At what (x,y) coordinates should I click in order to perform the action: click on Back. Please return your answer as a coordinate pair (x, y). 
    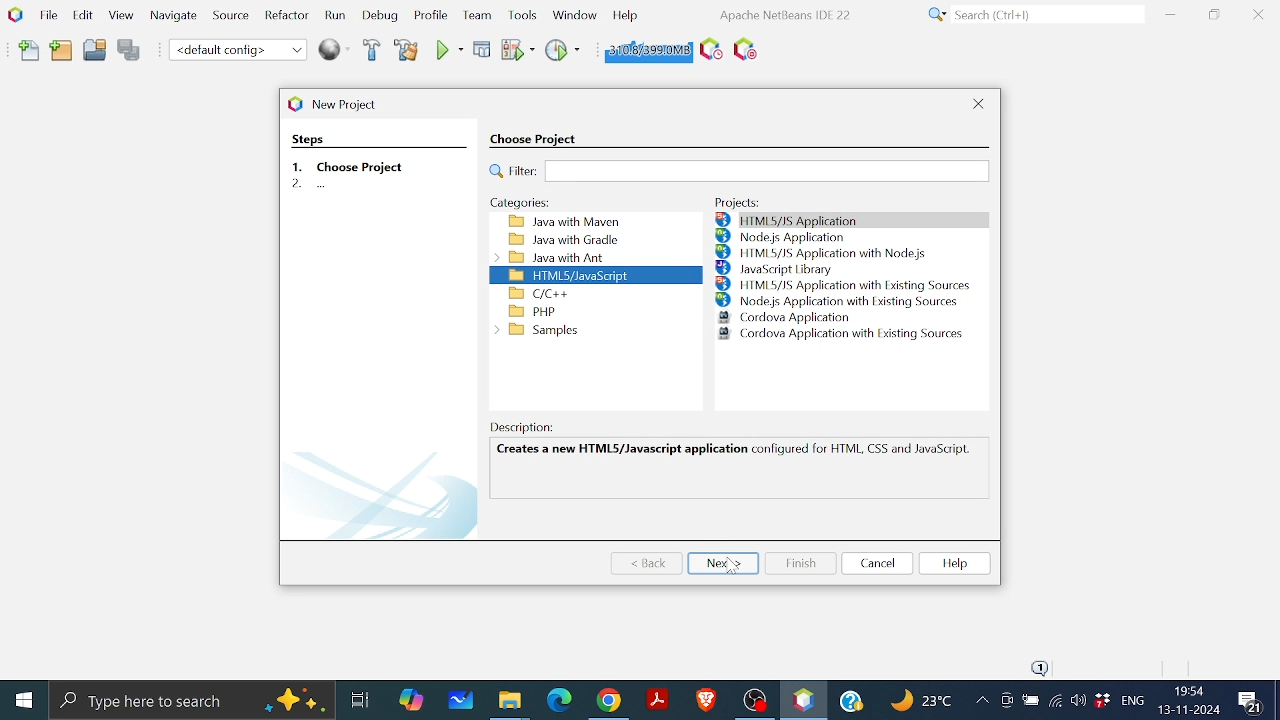
    Looking at the image, I should click on (648, 565).